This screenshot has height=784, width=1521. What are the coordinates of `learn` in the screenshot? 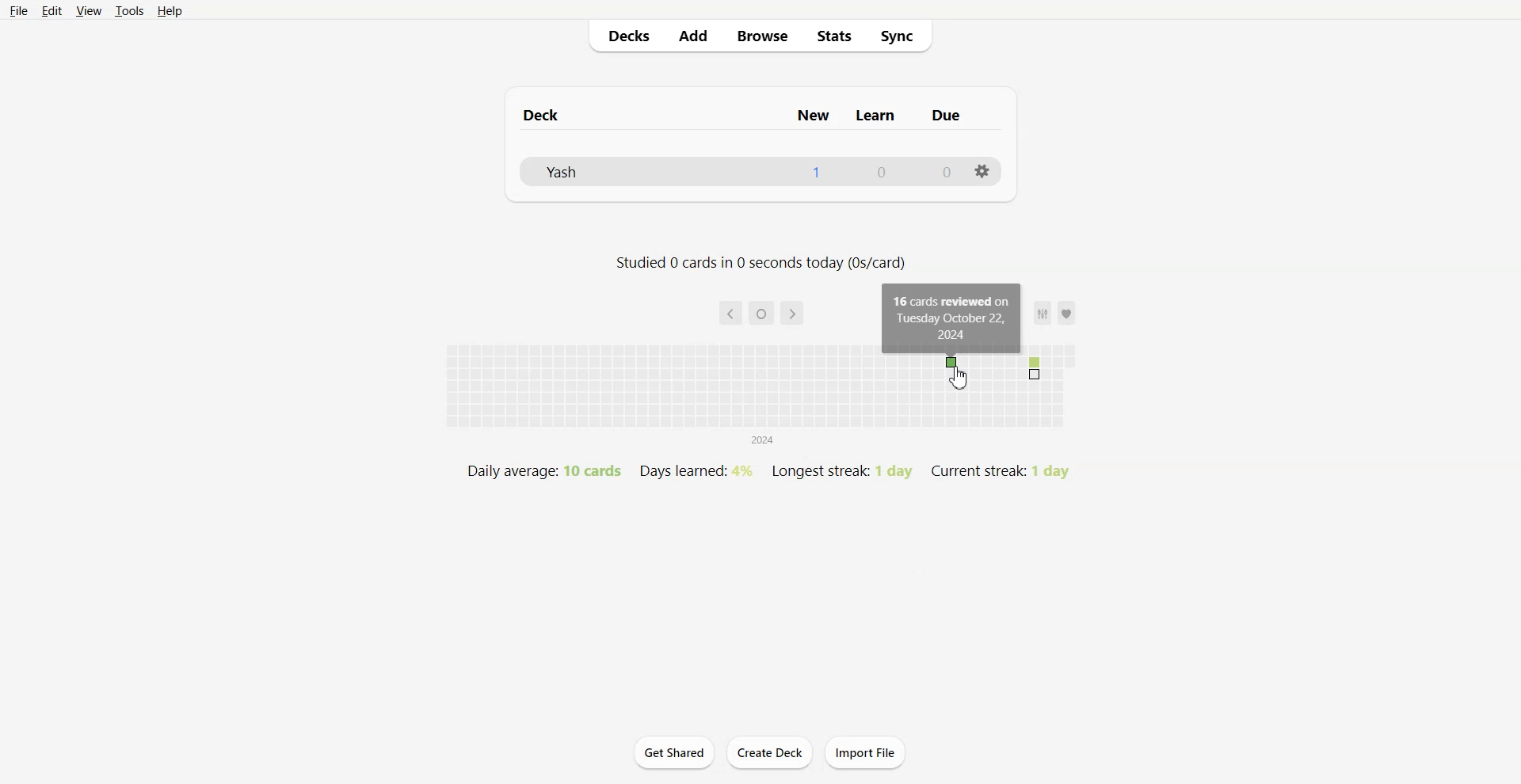 It's located at (876, 115).